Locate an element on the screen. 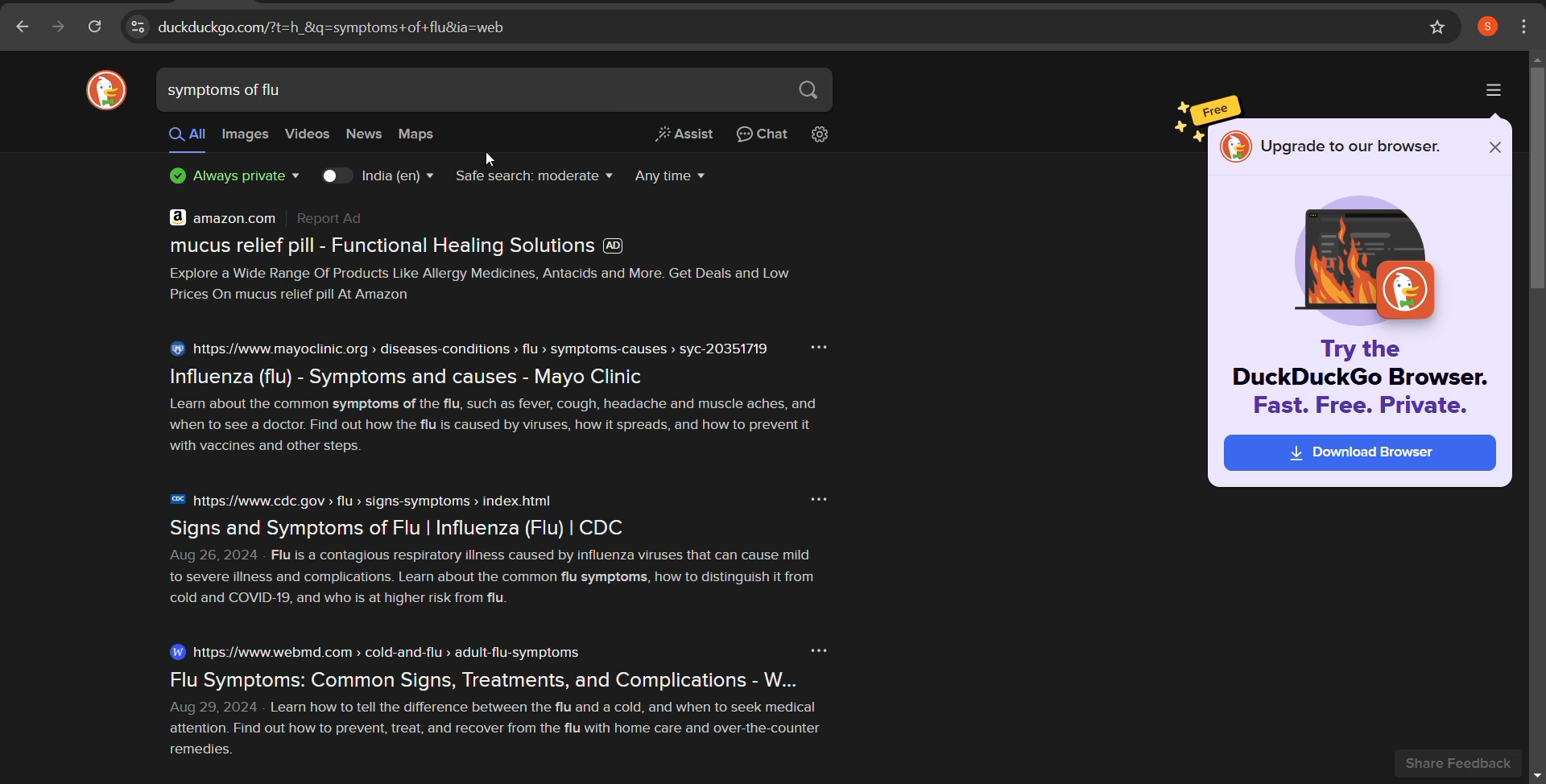  https//www.mayoclinic.org > diseases-conditions » flu >» symptoms-causes > syc-20351719 is located at coordinates (469, 349).